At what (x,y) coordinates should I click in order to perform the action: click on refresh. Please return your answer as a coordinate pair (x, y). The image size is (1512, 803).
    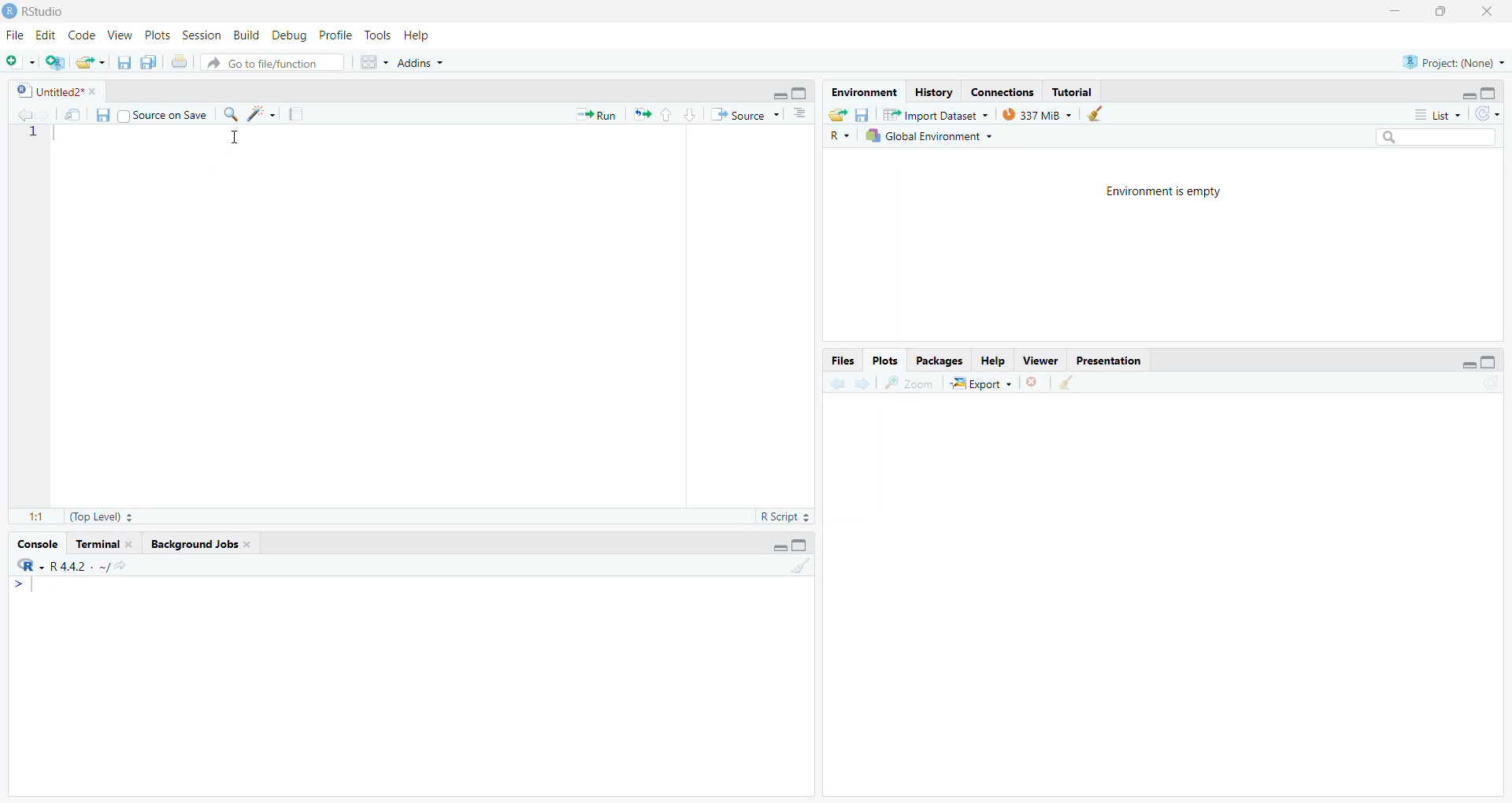
    Looking at the image, I should click on (1490, 113).